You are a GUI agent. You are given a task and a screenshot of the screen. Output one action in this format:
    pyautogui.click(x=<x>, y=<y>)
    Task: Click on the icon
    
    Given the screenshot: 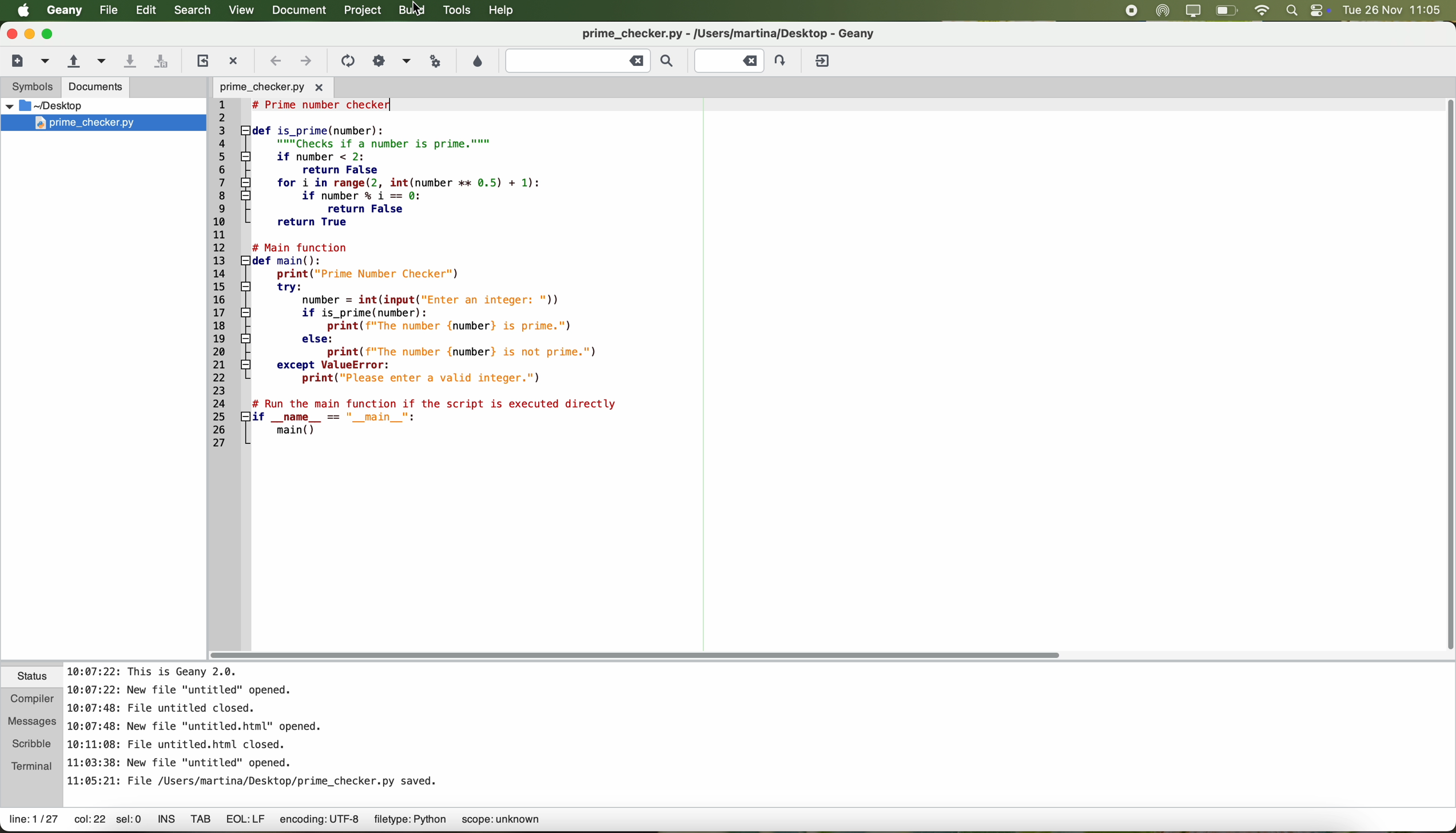 What is the action you would take?
    pyautogui.click(x=347, y=61)
    